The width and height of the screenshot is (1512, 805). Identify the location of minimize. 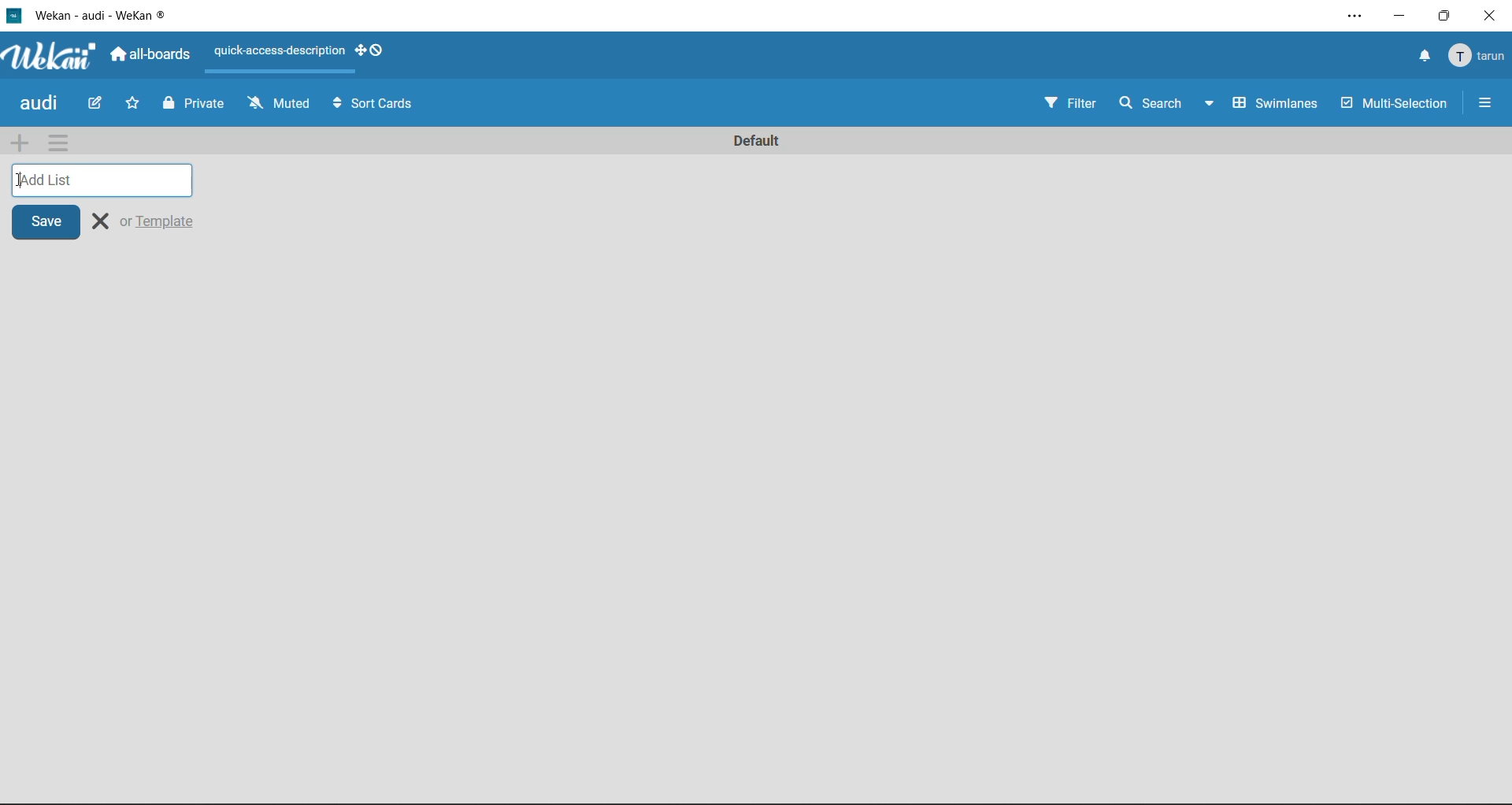
(1399, 16).